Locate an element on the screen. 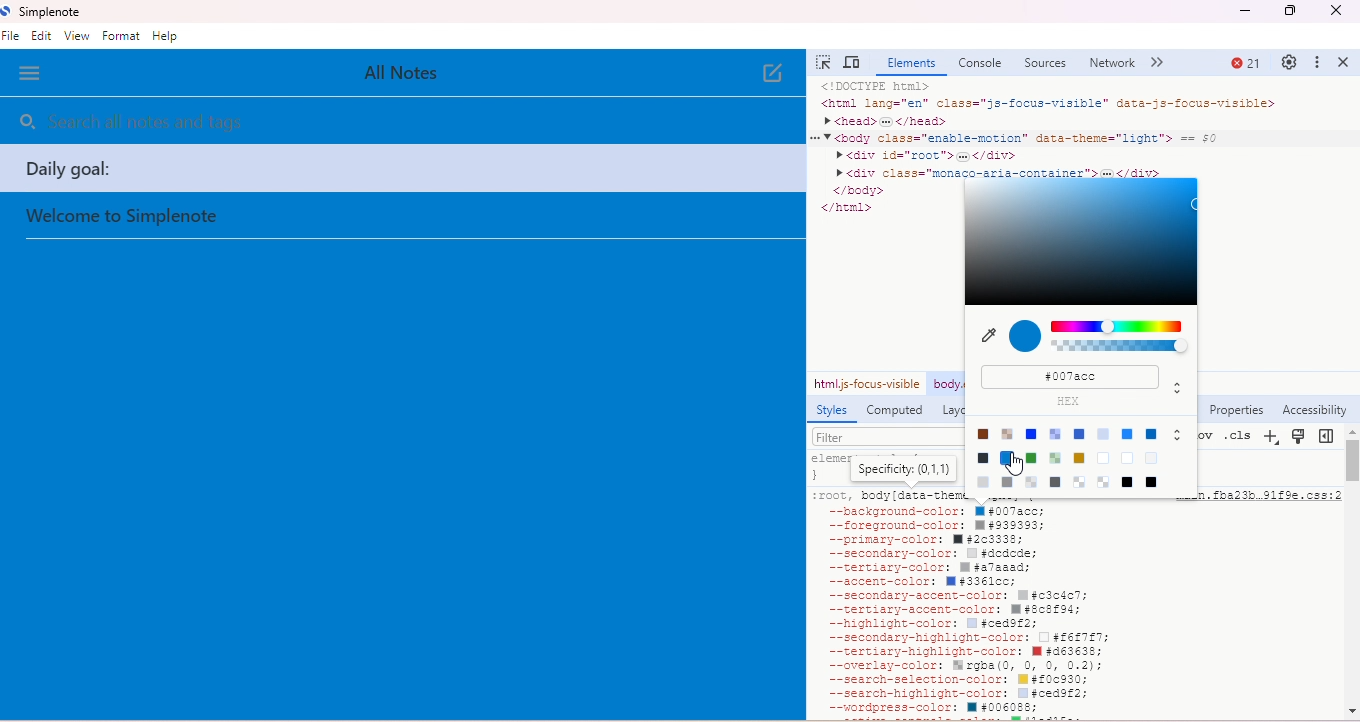 This screenshot has height=722, width=1360. --background-color:  is located at coordinates (931, 512).